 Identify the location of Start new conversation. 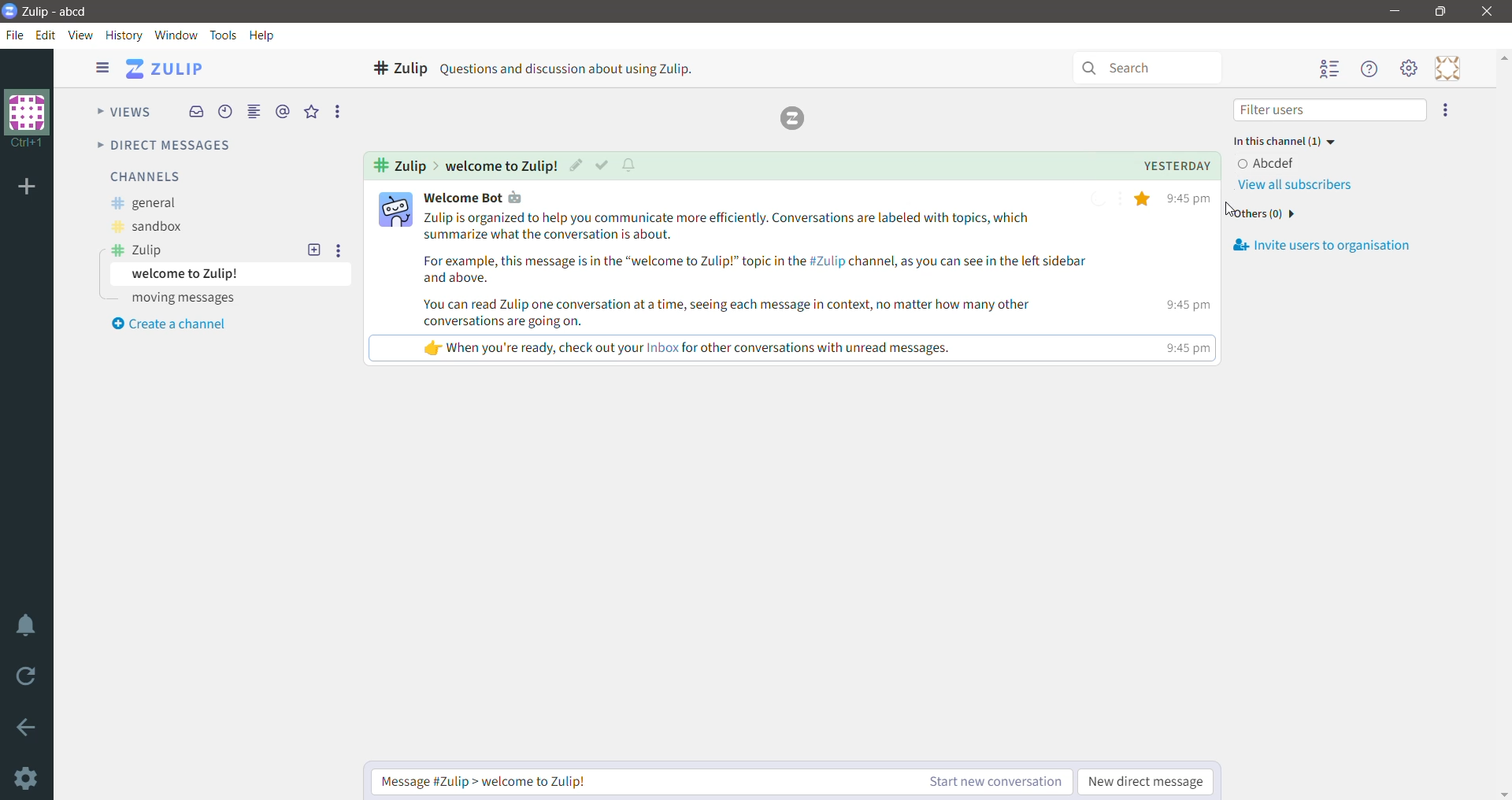
(979, 780).